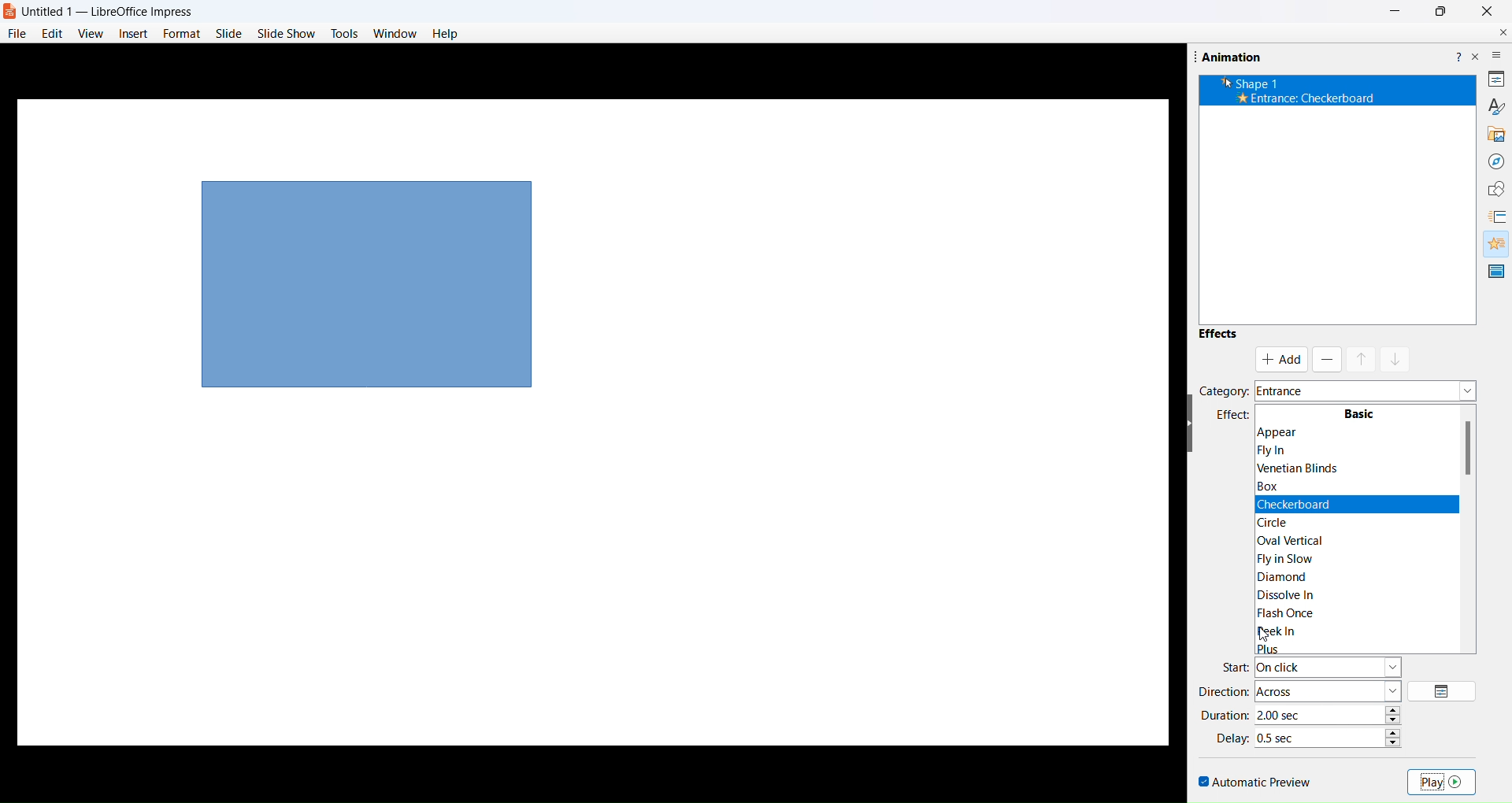 This screenshot has width=1512, height=803. Describe the element at coordinates (1494, 79) in the screenshot. I see `properties` at that location.